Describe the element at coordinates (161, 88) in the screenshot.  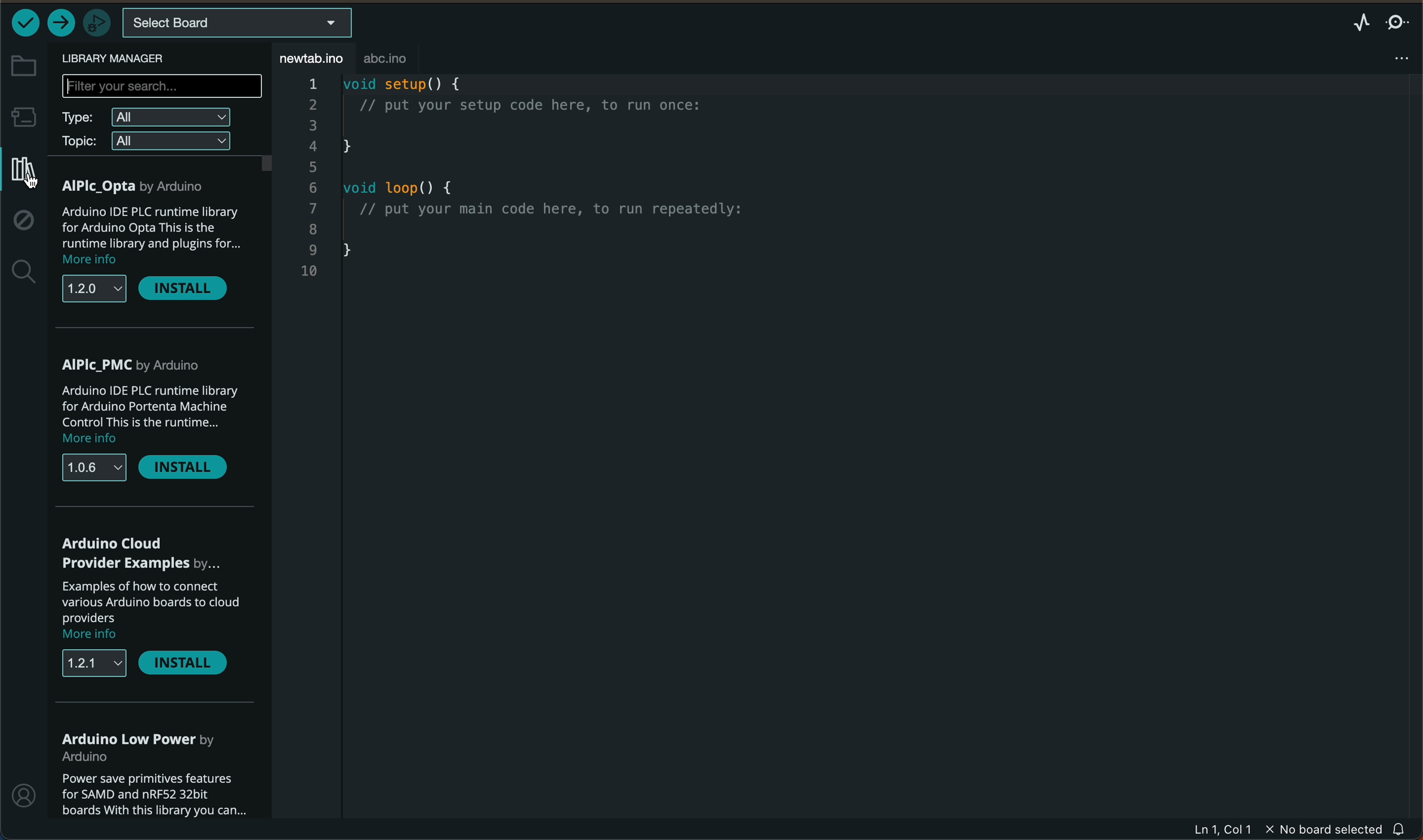
I see `search bar` at that location.